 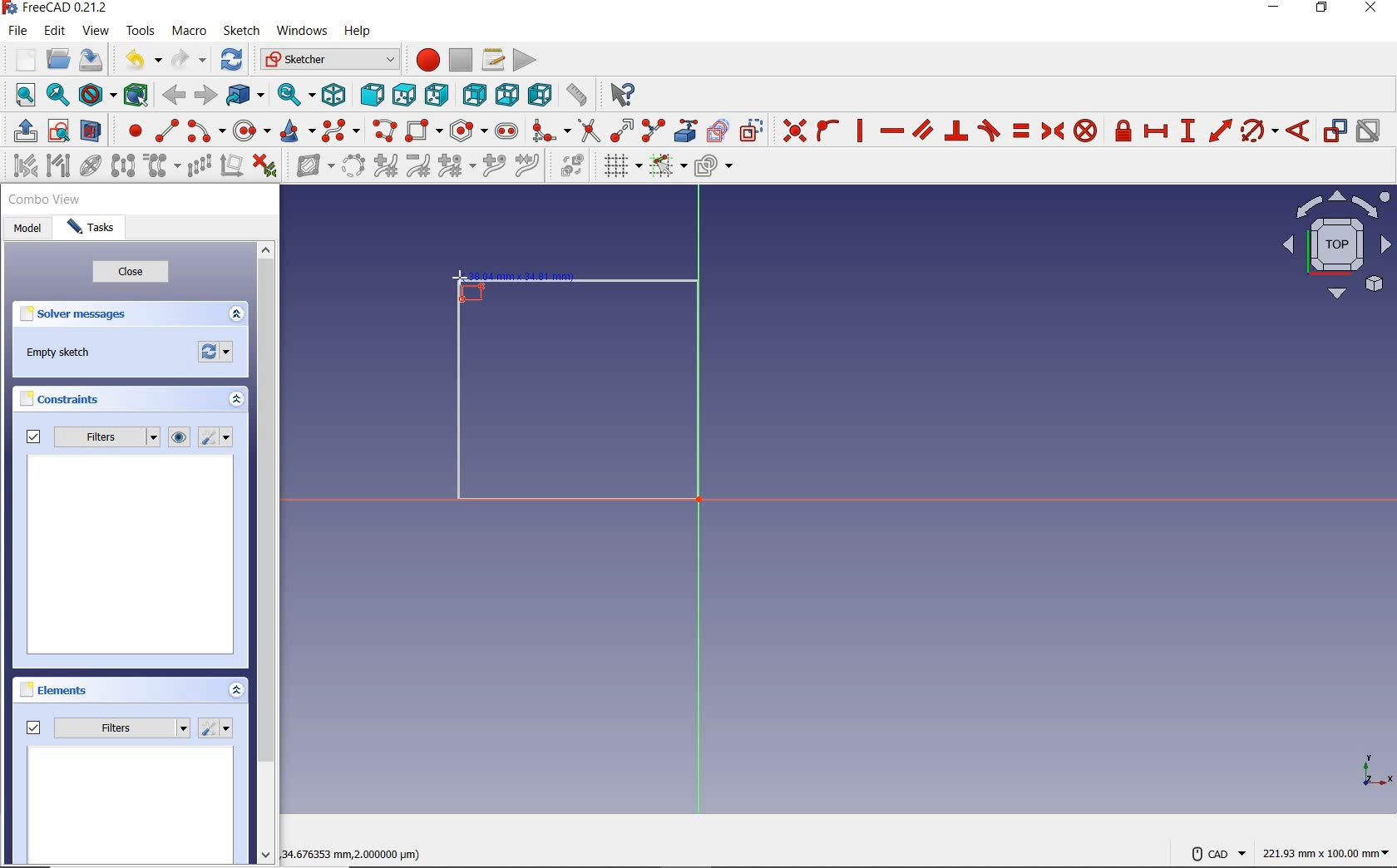 I want to click on symmetry, so click(x=124, y=167).